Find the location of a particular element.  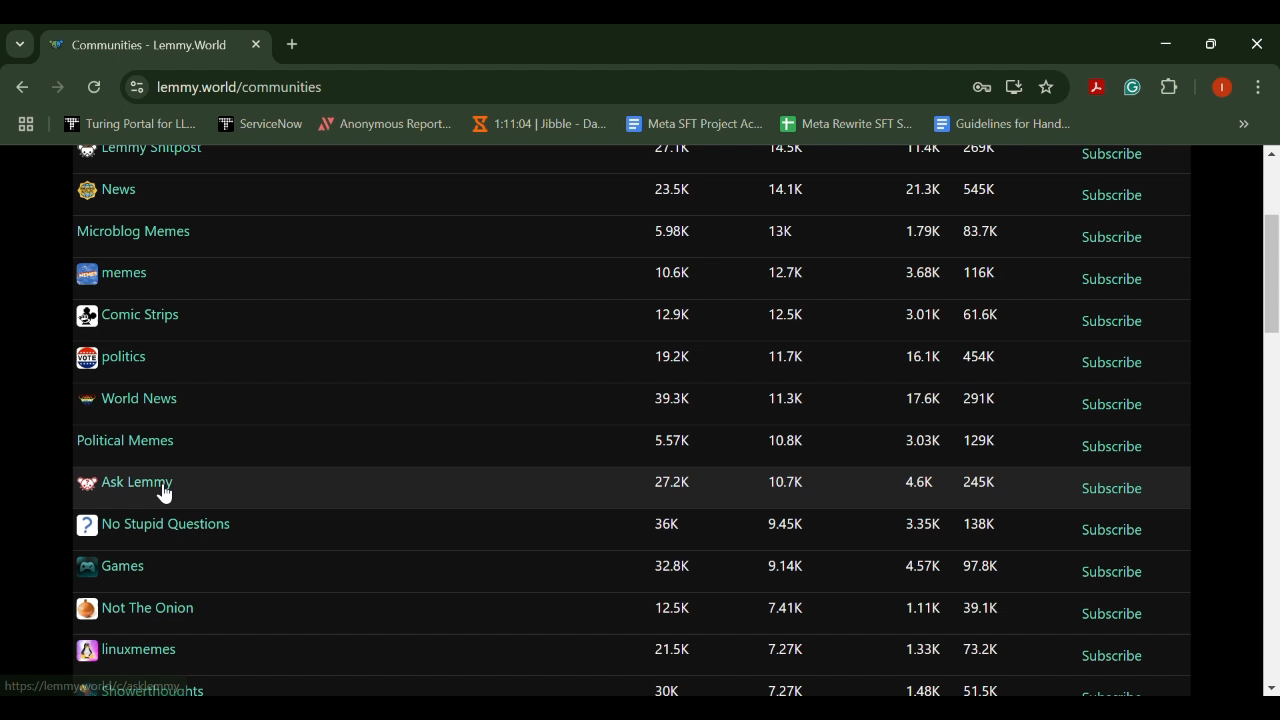

16.1K is located at coordinates (924, 359).